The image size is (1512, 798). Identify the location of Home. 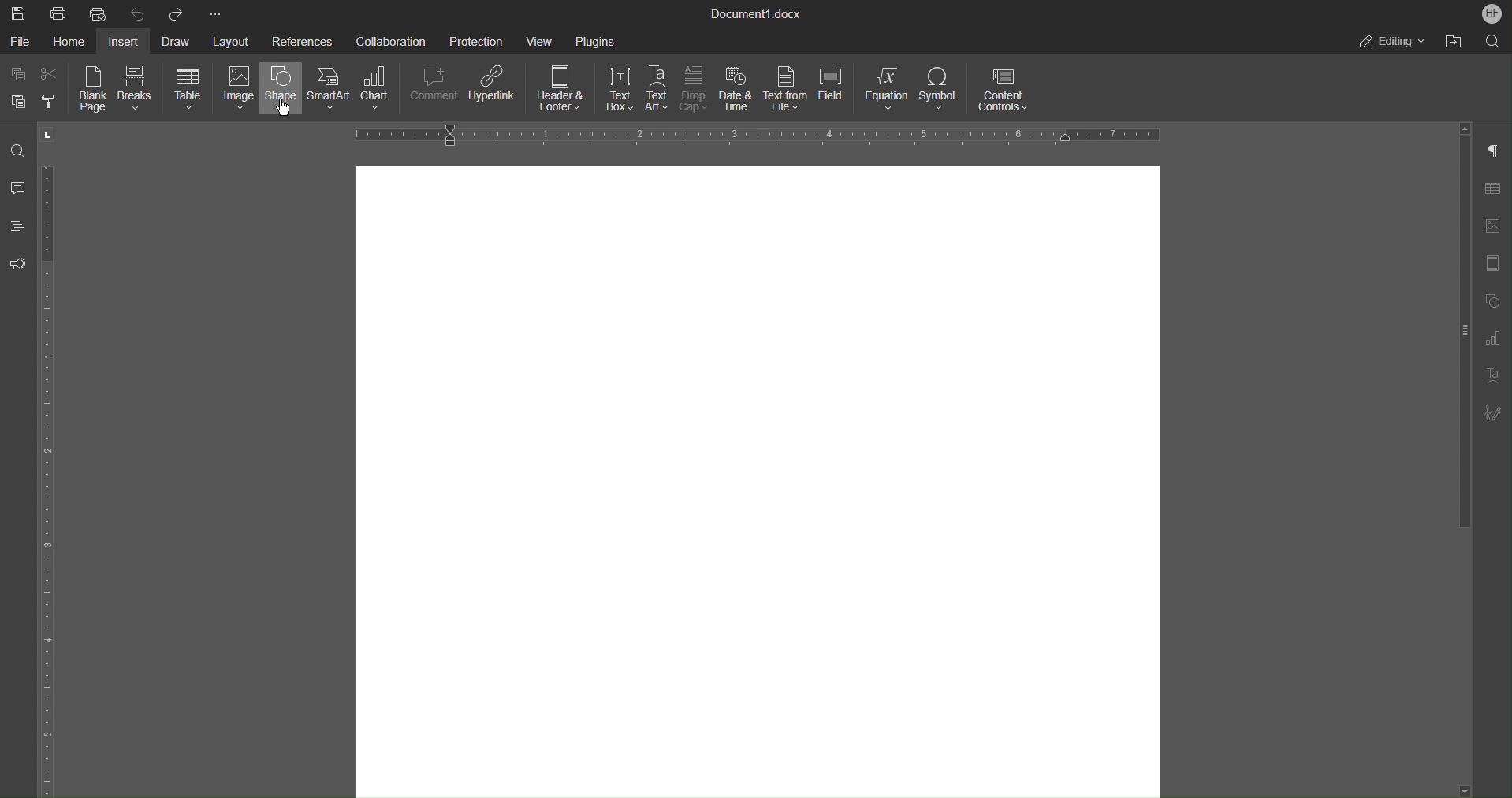
(73, 42).